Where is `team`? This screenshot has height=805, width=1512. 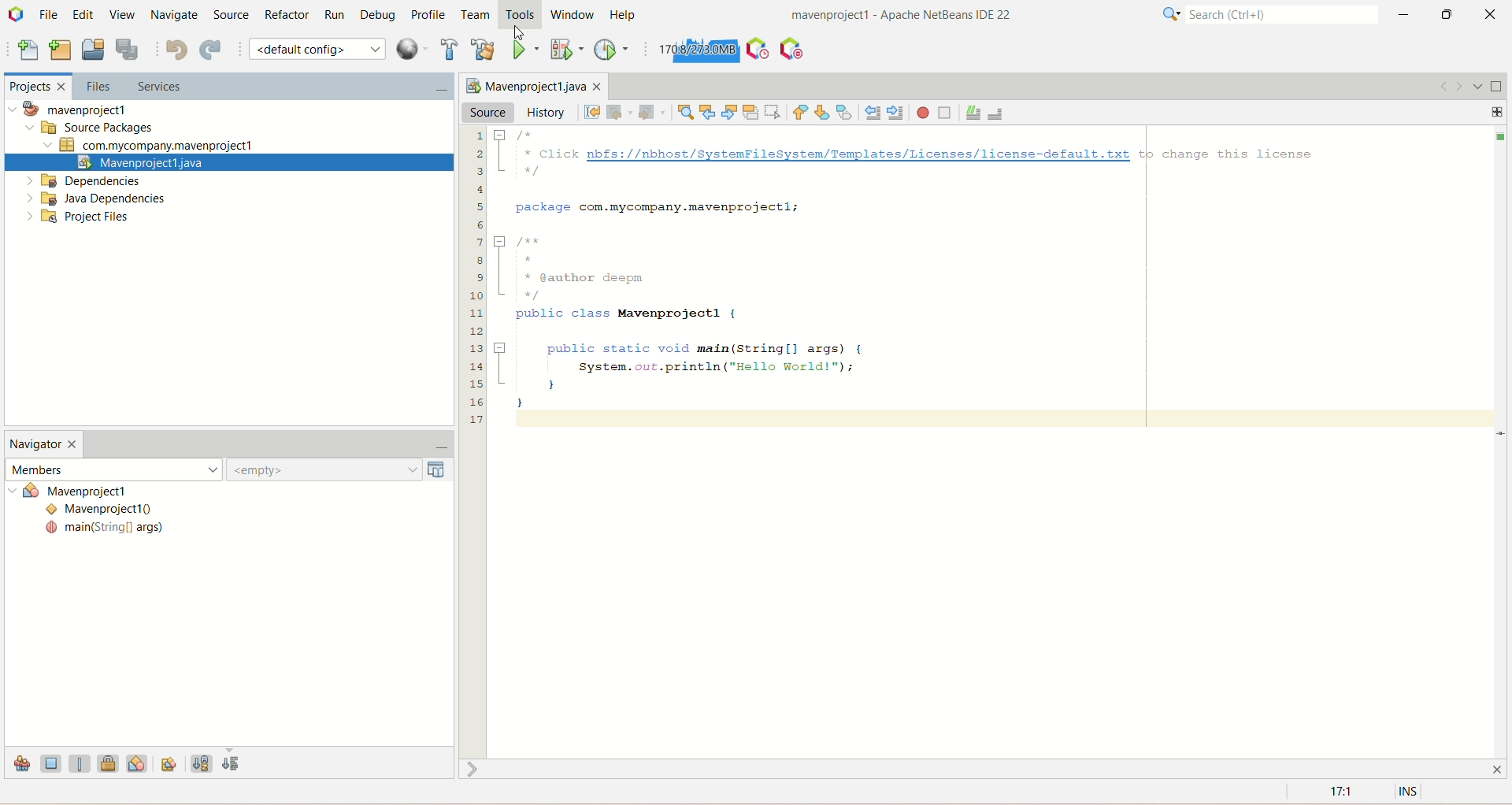 team is located at coordinates (476, 16).